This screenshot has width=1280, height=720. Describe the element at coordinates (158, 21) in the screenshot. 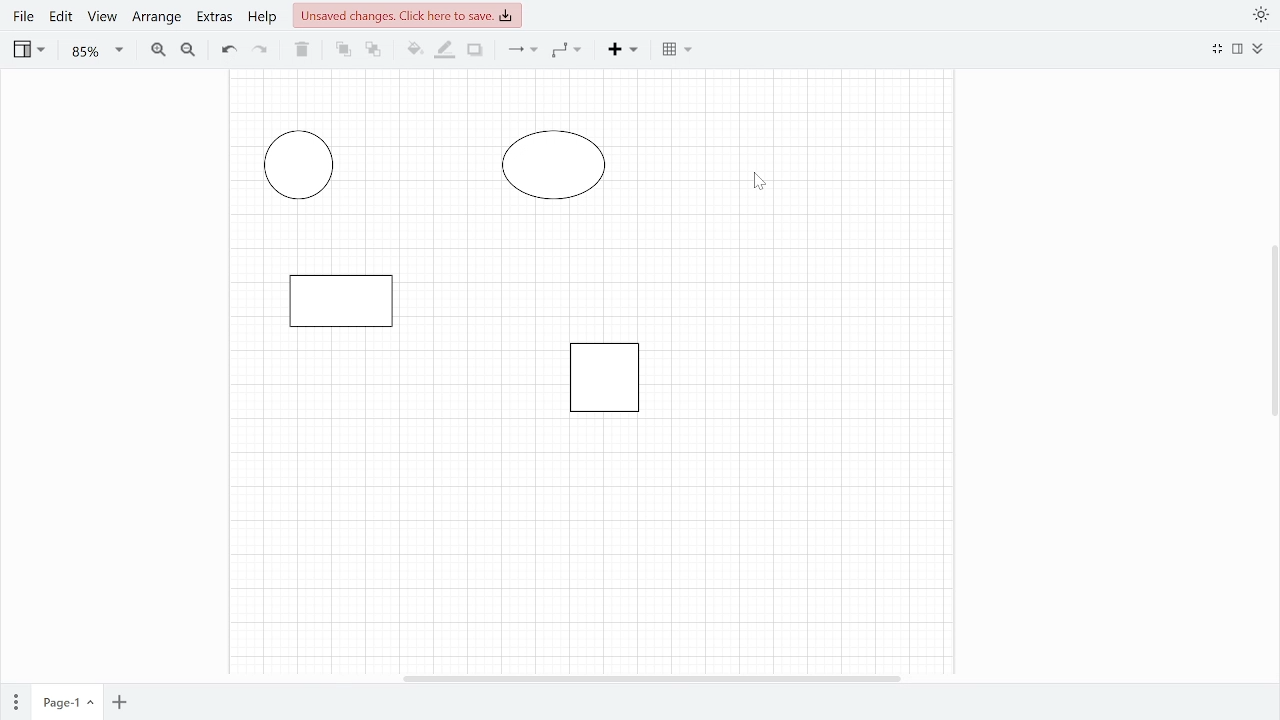

I see `Arrange` at that location.